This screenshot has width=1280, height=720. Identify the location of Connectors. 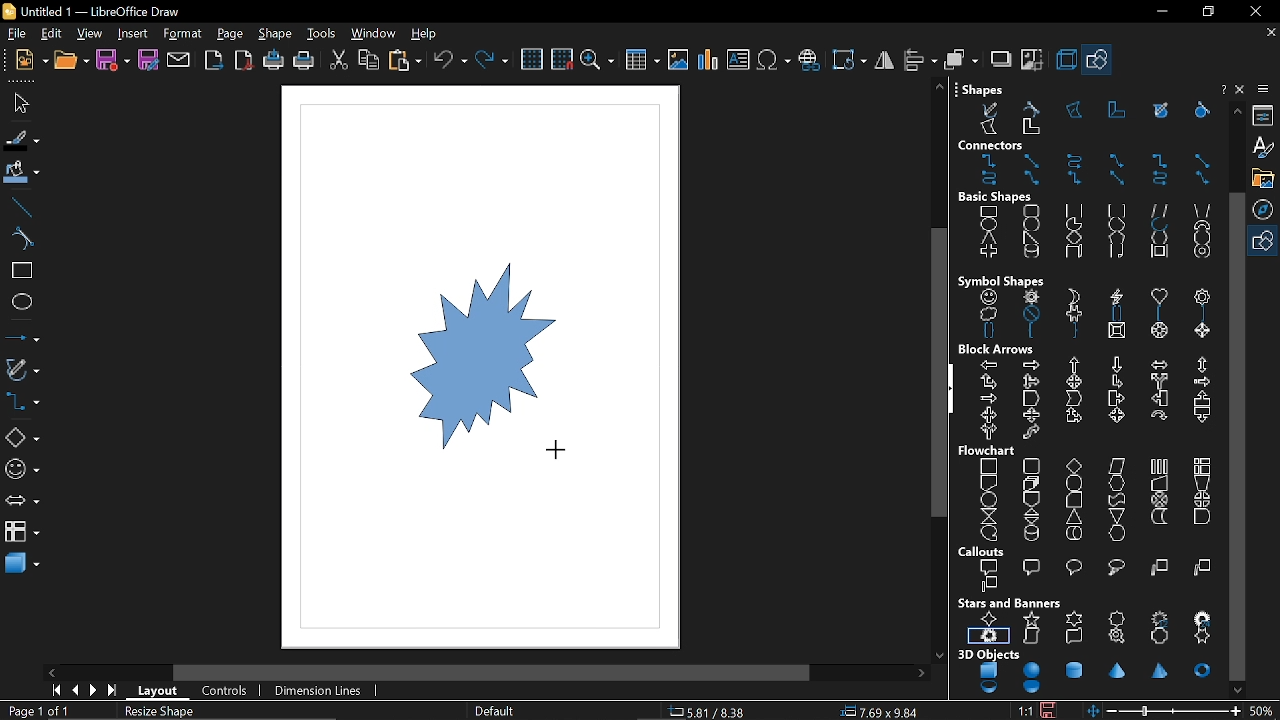
(1087, 163).